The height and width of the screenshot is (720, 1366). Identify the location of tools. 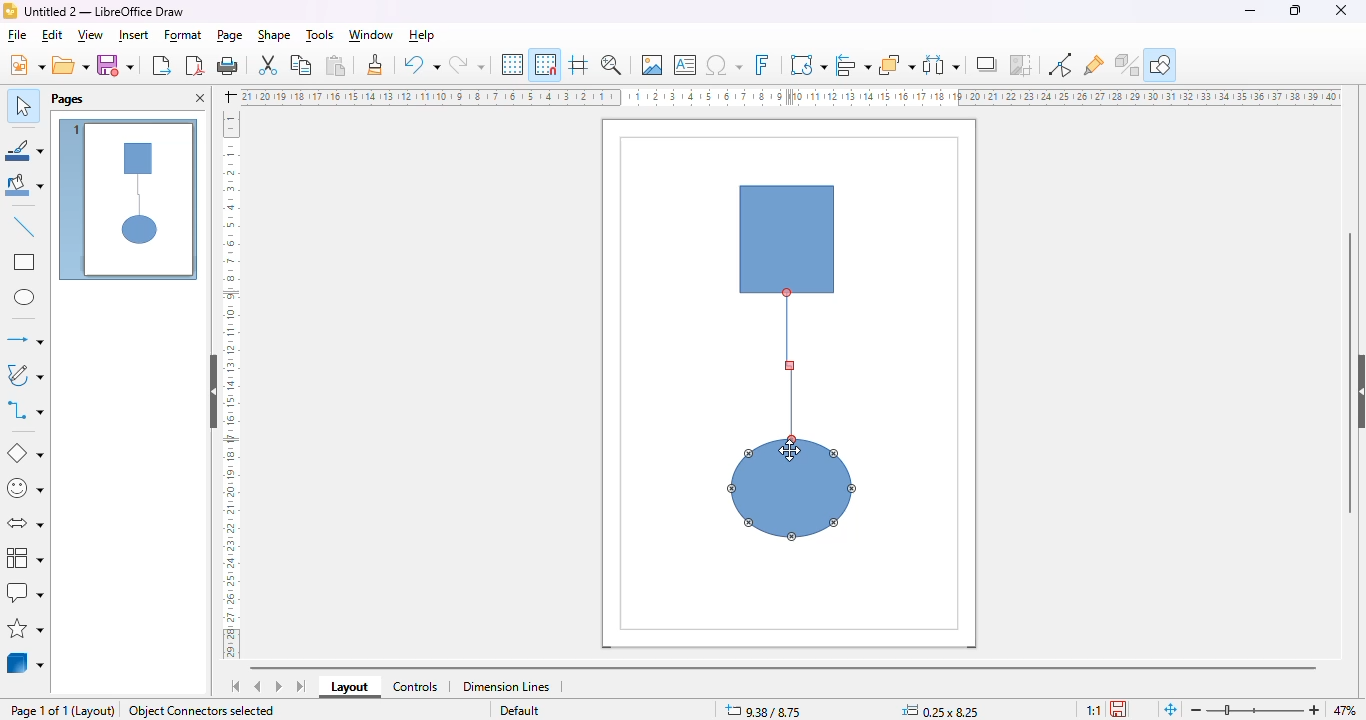
(321, 35).